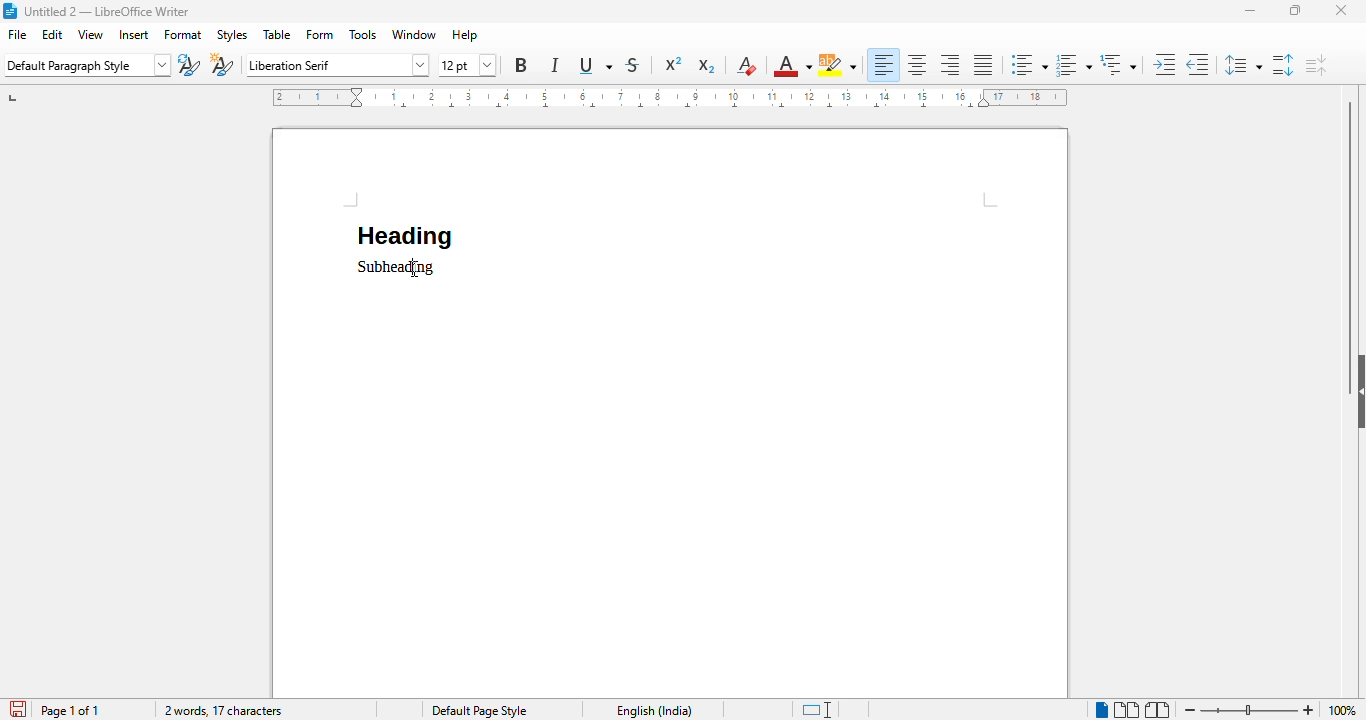 The image size is (1366, 720). What do you see at coordinates (1341, 10) in the screenshot?
I see `close` at bounding box center [1341, 10].